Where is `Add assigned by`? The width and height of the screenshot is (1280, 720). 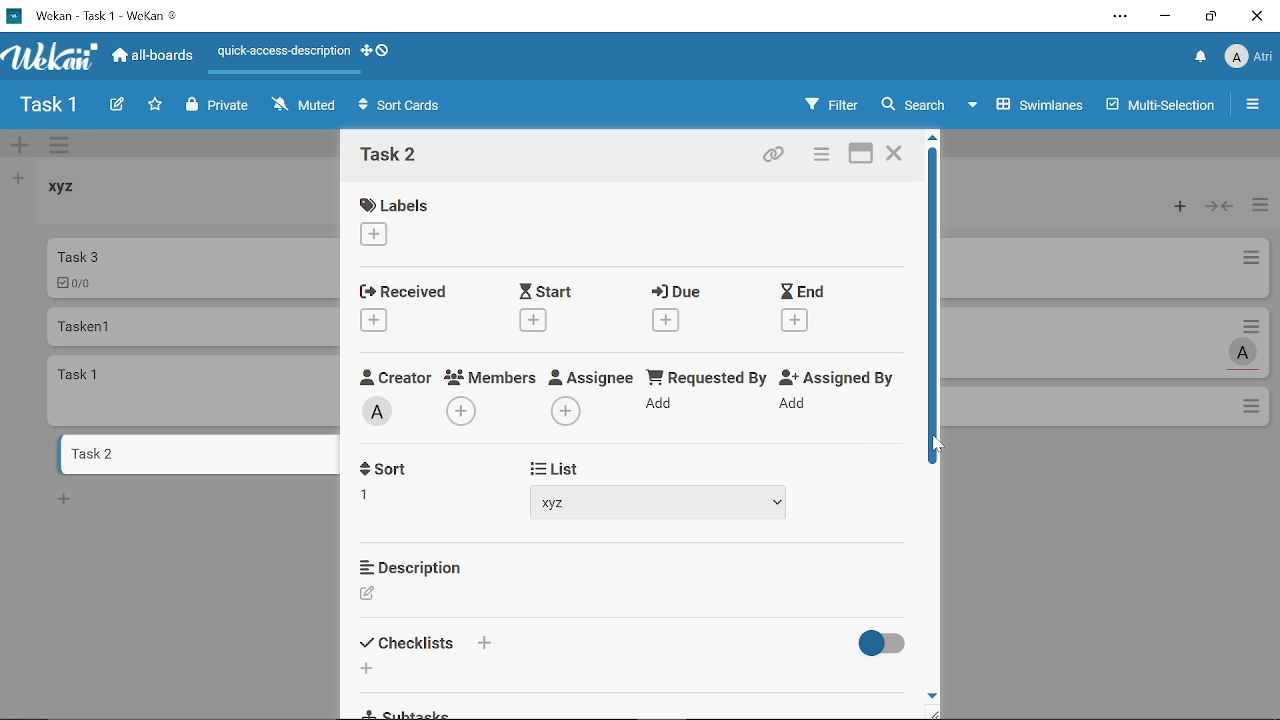
Add assigned by is located at coordinates (804, 405).